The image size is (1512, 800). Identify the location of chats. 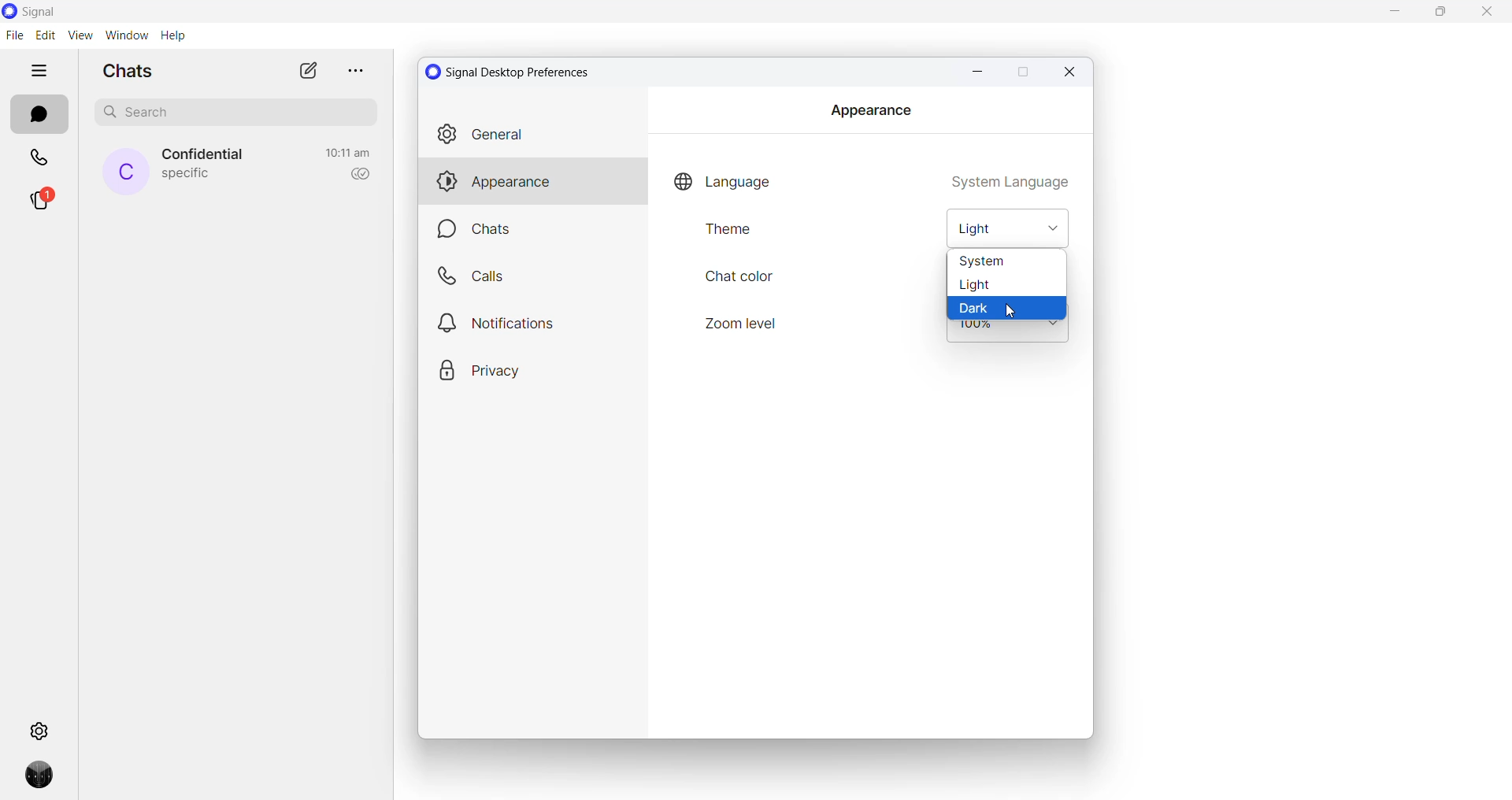
(39, 115).